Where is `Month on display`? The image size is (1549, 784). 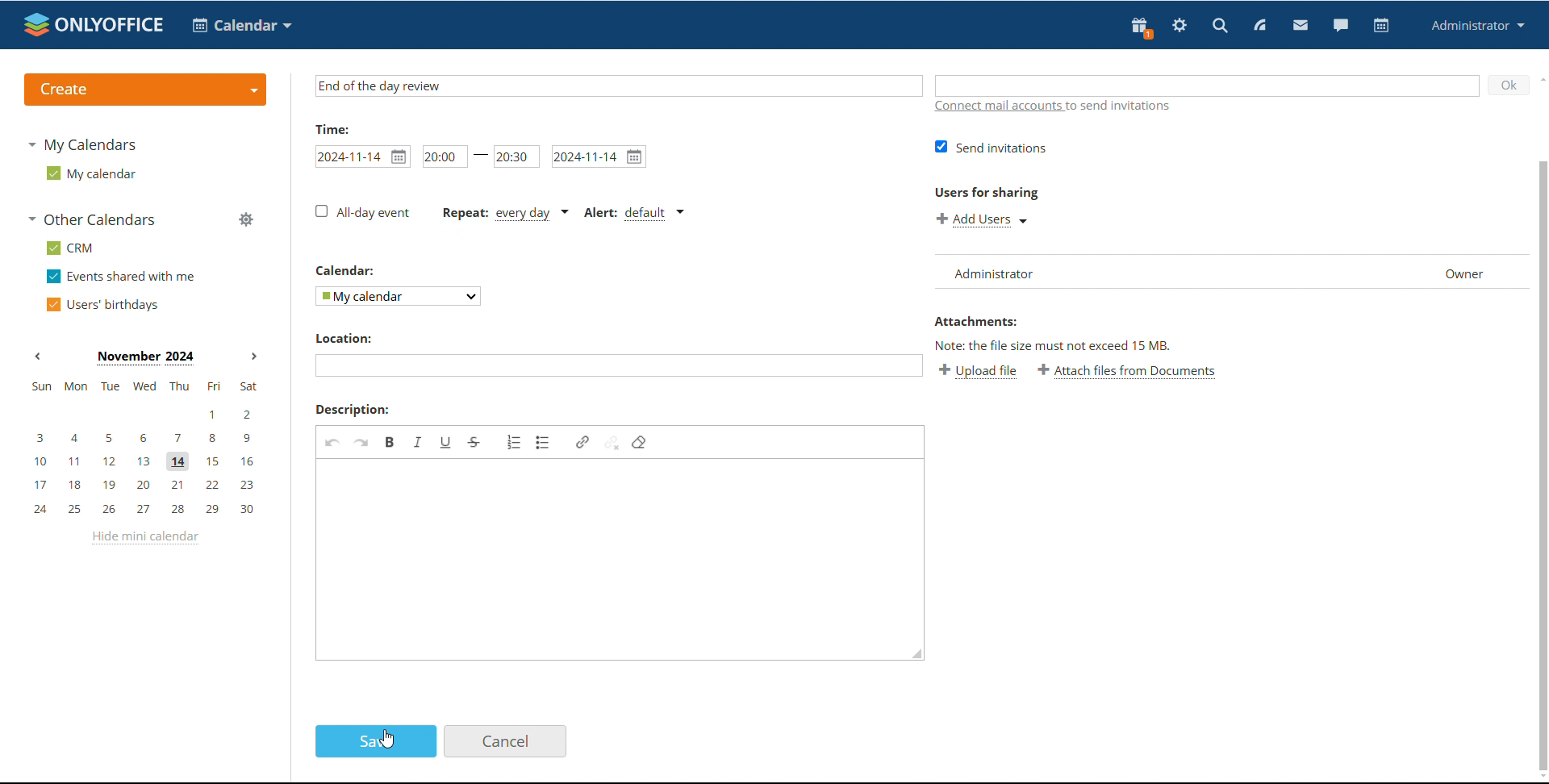
Month on display is located at coordinates (145, 358).